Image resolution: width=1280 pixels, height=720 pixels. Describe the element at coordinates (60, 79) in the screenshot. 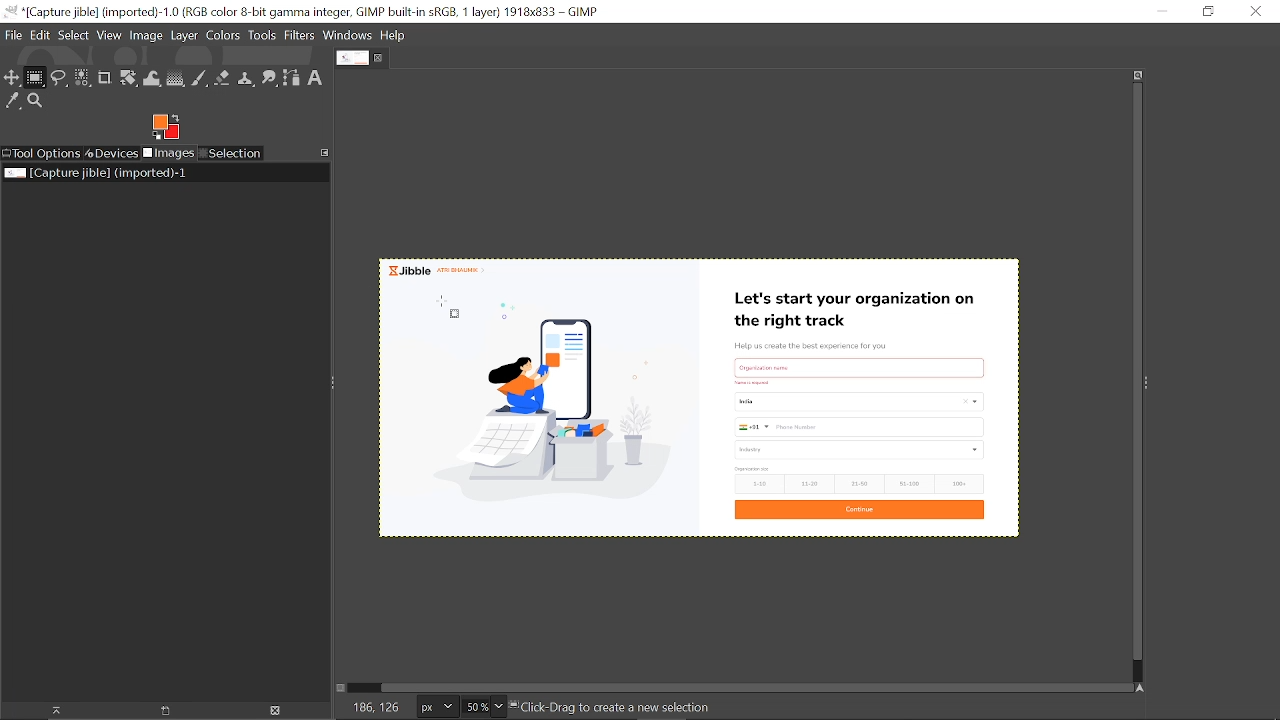

I see `Free select tool` at that location.